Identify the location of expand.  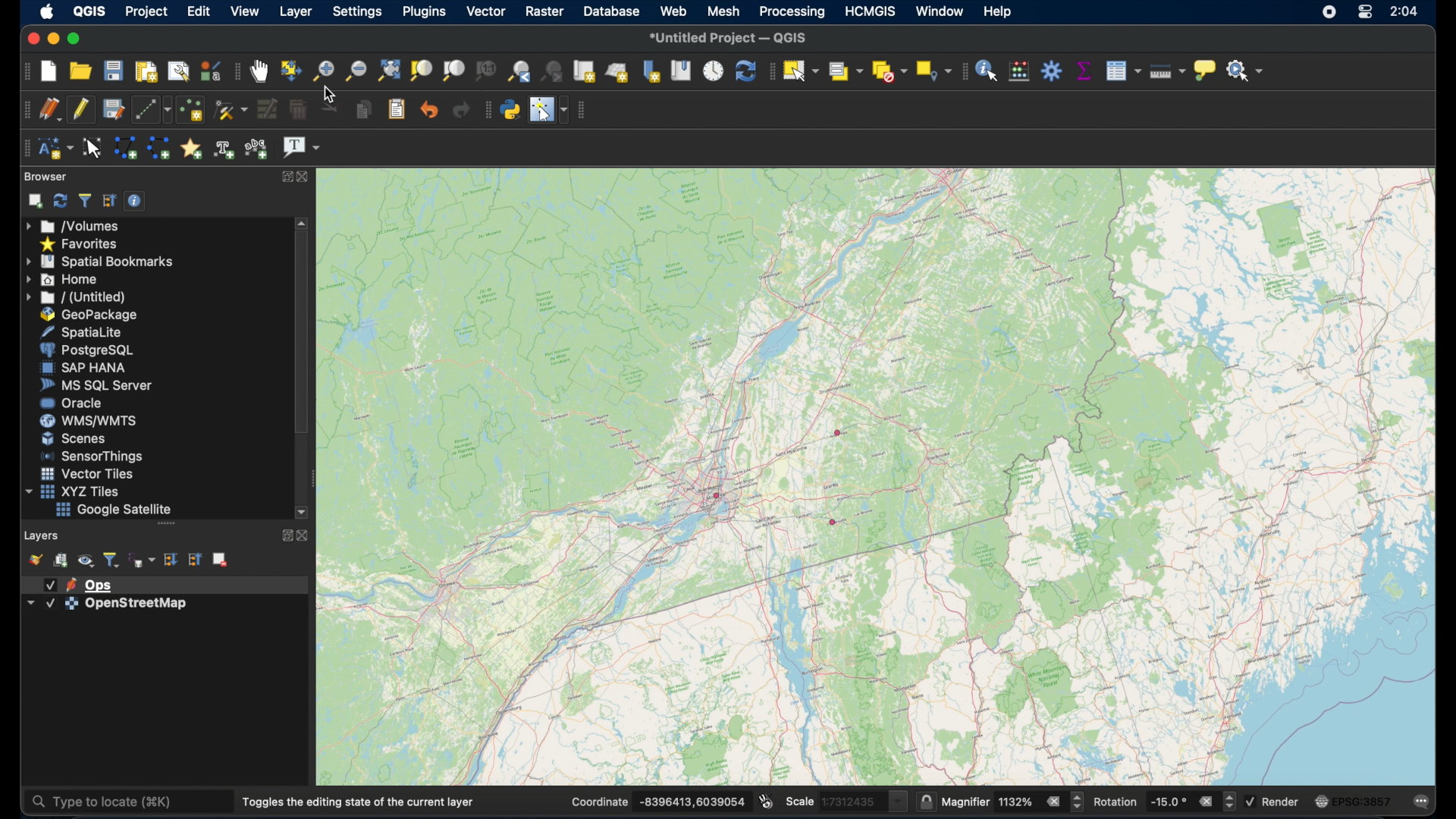
(284, 177).